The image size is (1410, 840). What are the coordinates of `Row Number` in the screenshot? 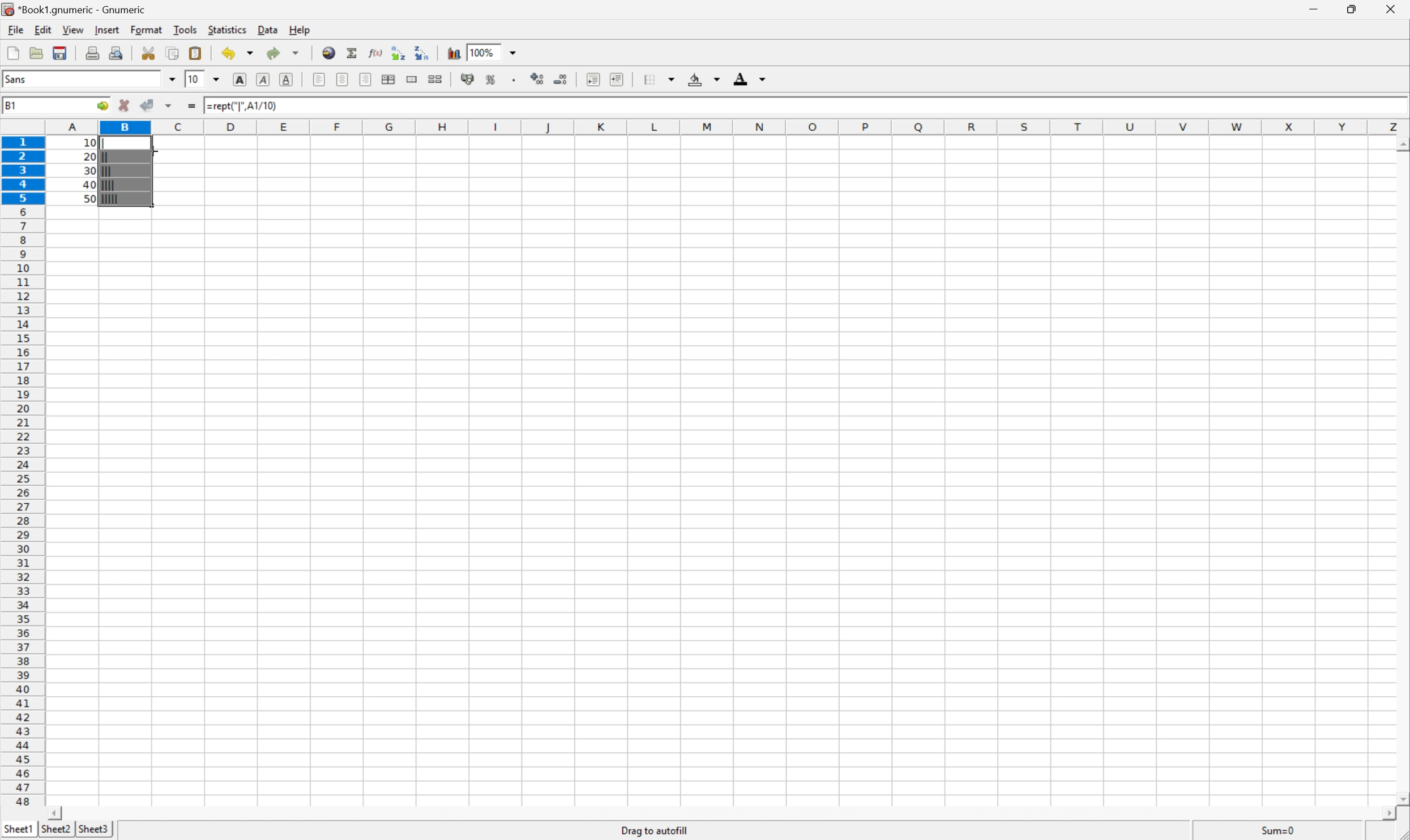 It's located at (22, 472).